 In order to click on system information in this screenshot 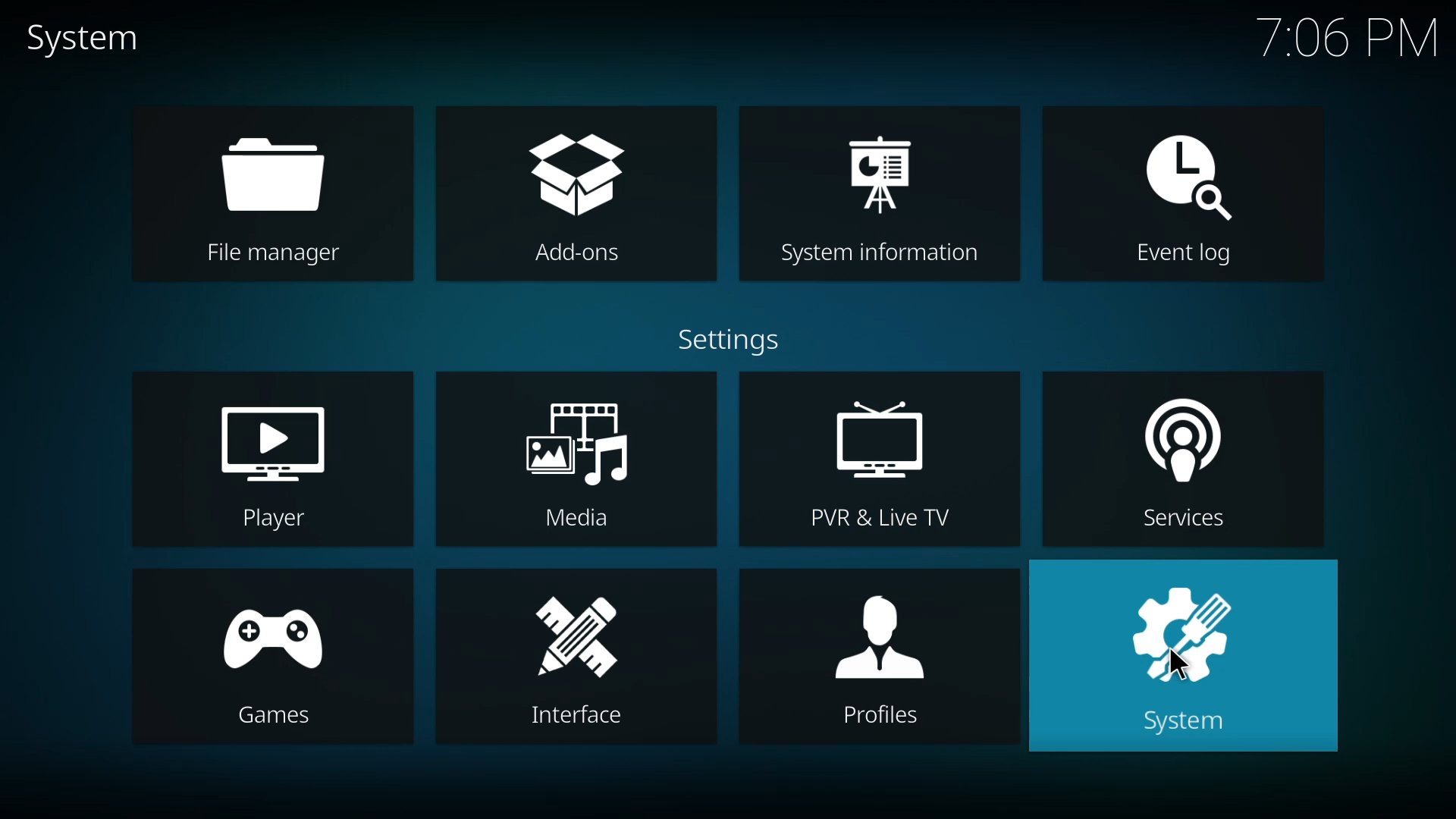, I will do `click(884, 192)`.